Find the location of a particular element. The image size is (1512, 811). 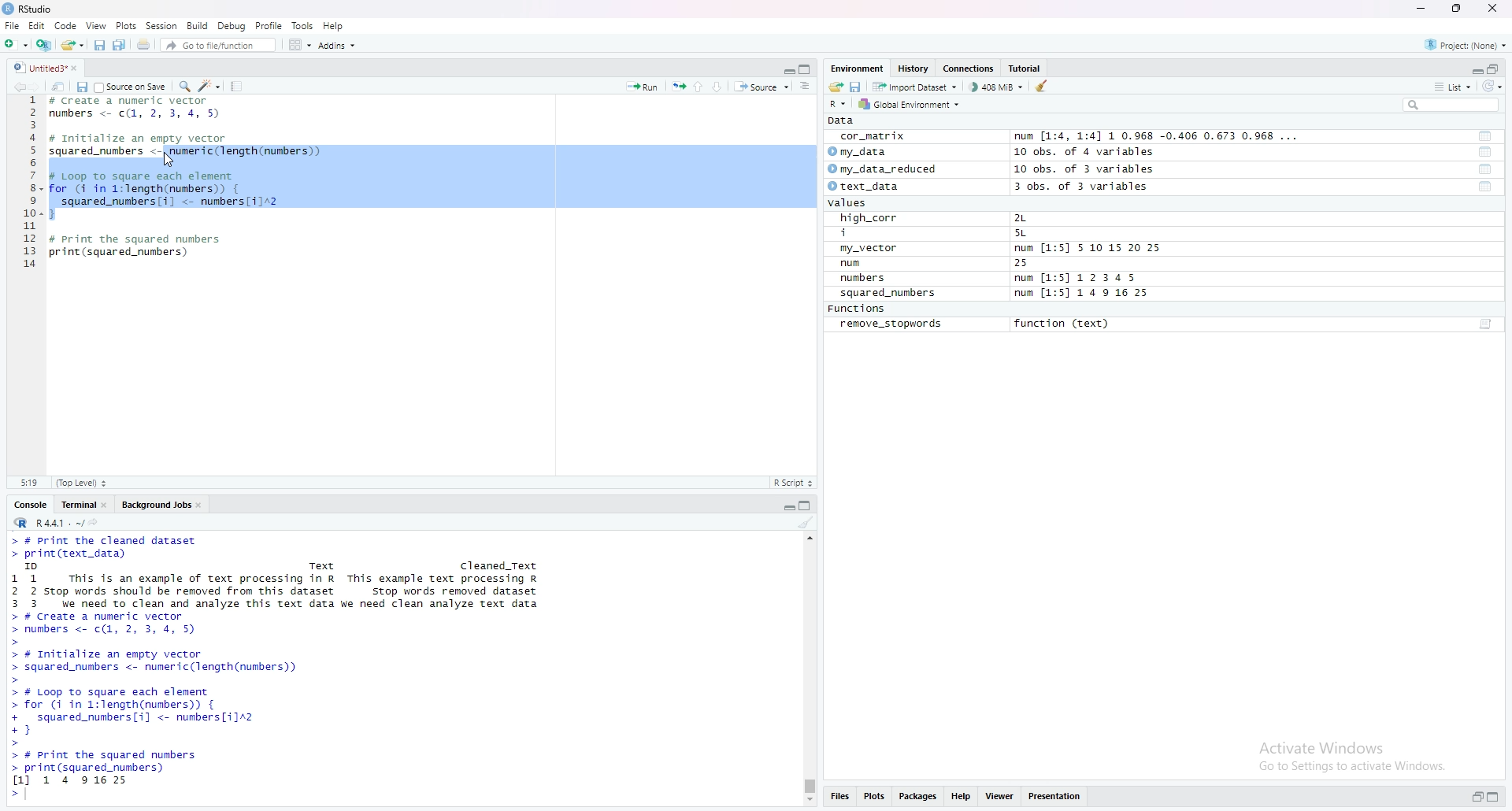

squared_numbers is located at coordinates (889, 295).